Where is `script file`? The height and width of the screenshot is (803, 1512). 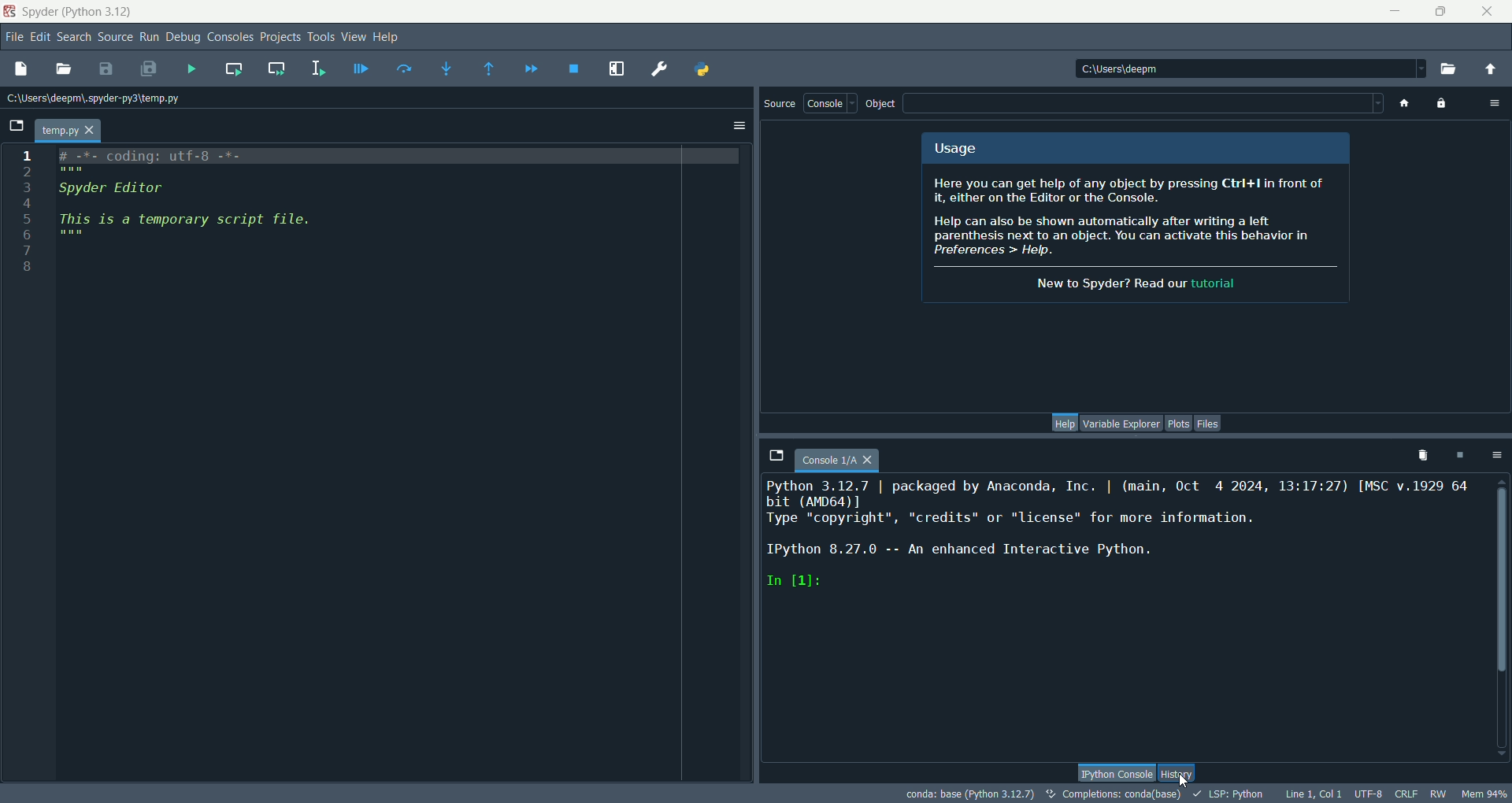 script file is located at coordinates (227, 205).